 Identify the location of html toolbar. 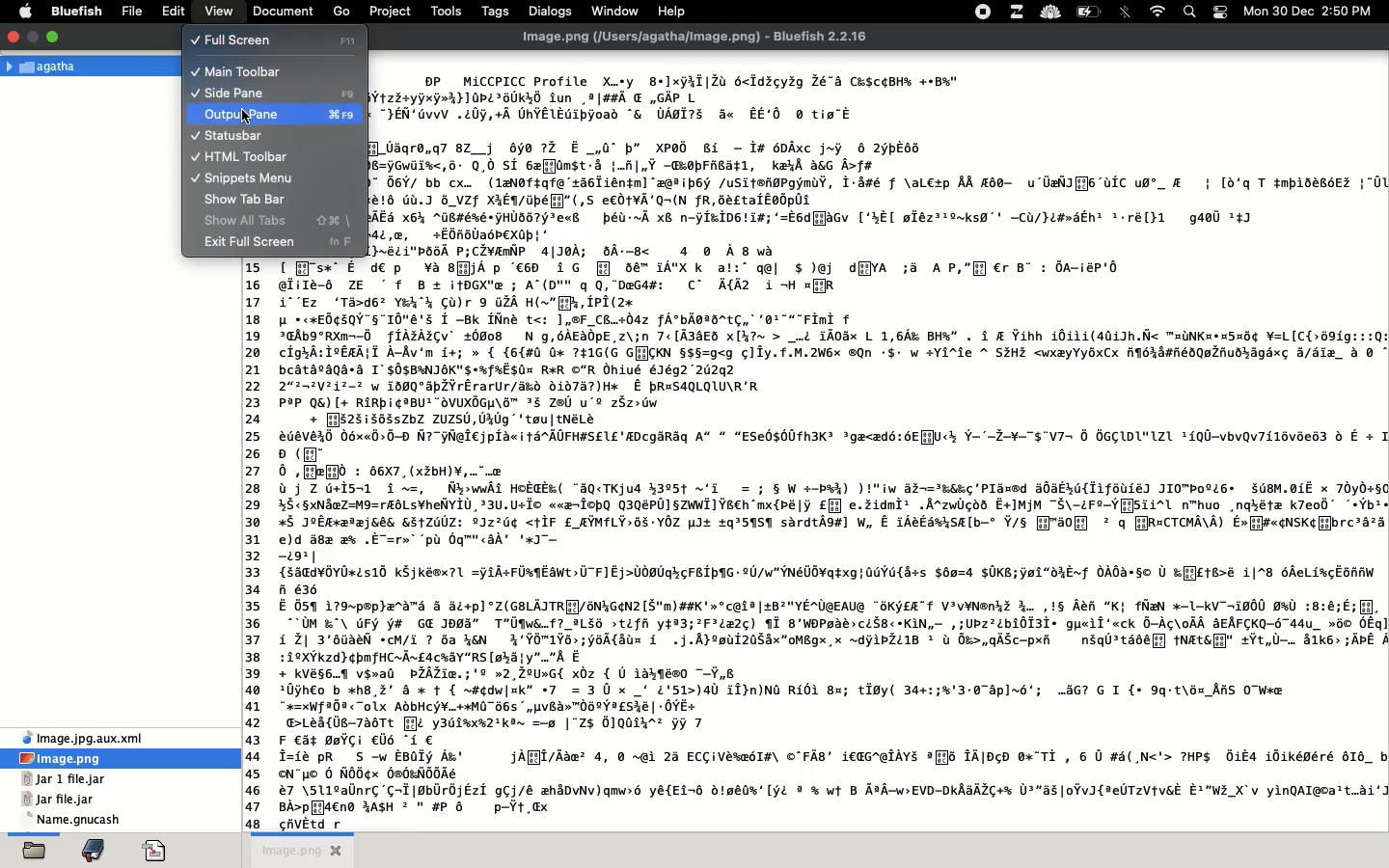
(256, 156).